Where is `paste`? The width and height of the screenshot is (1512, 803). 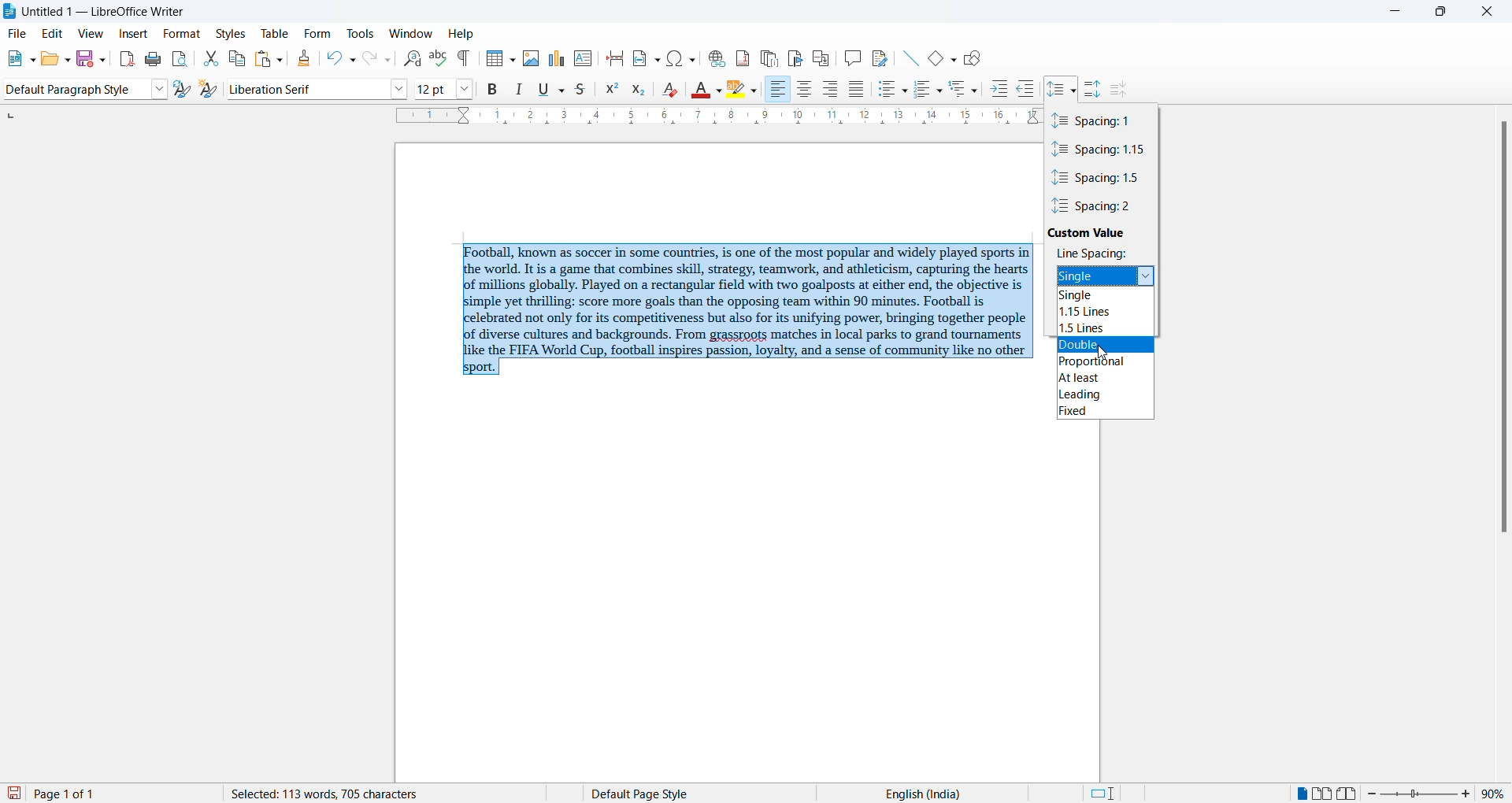 paste is located at coordinates (262, 59).